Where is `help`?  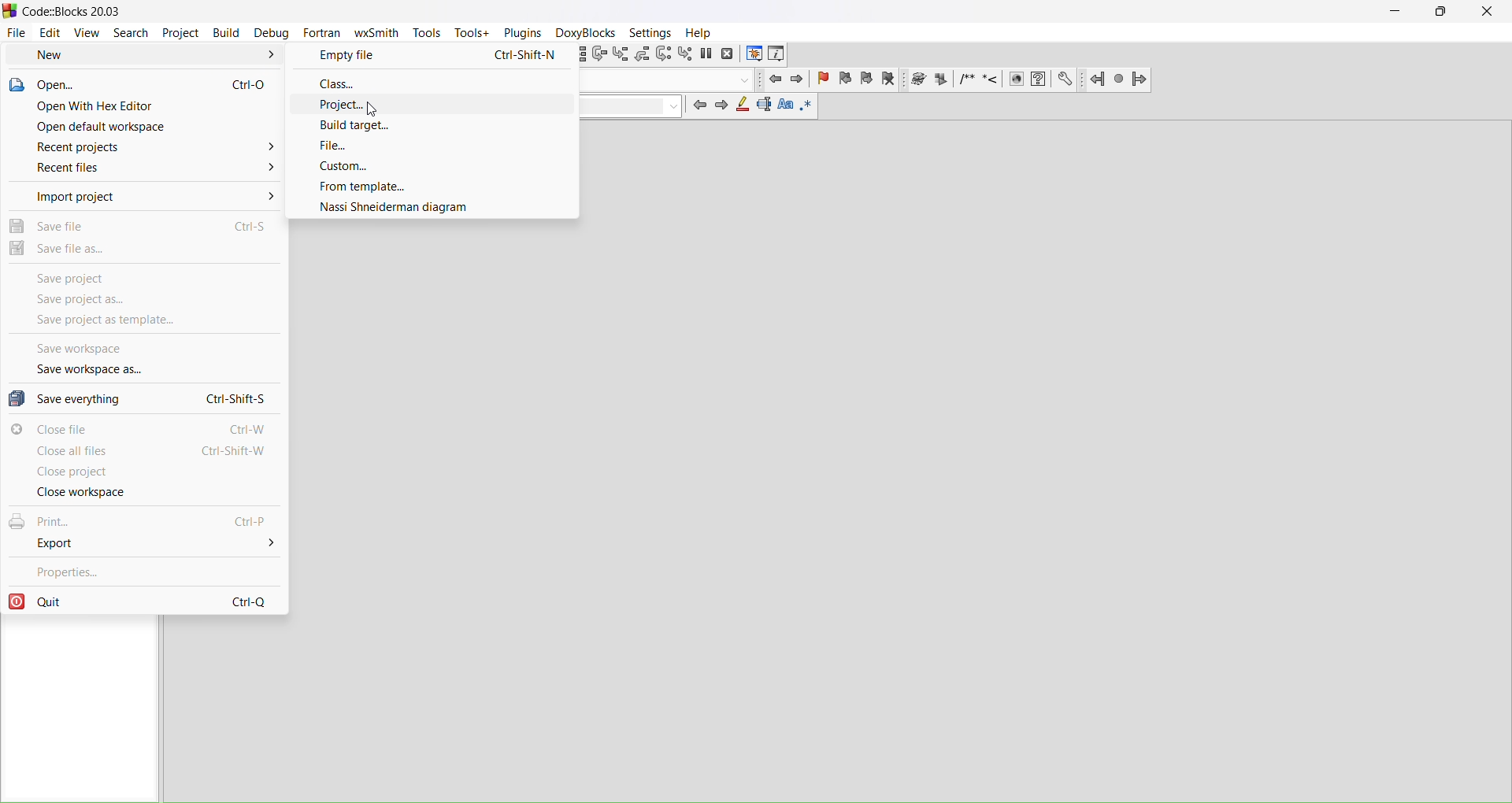
help is located at coordinates (702, 33).